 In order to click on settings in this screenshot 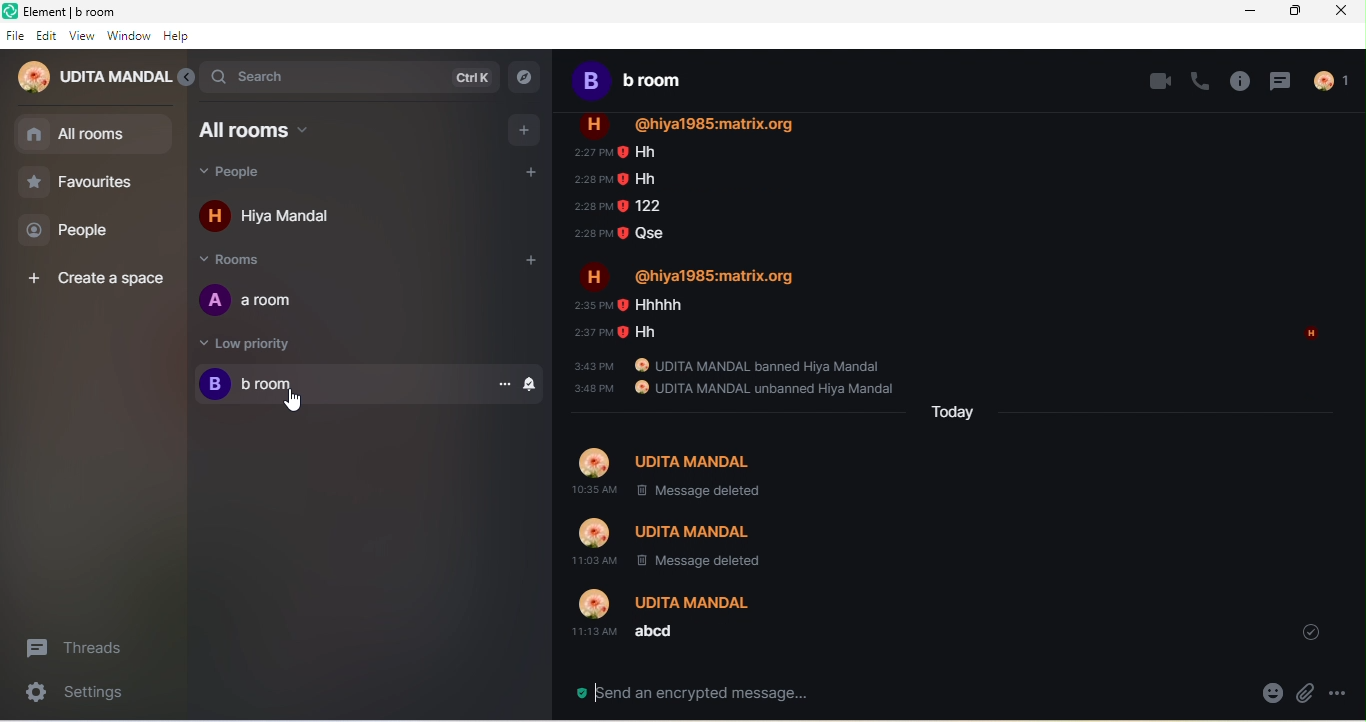, I will do `click(75, 695)`.